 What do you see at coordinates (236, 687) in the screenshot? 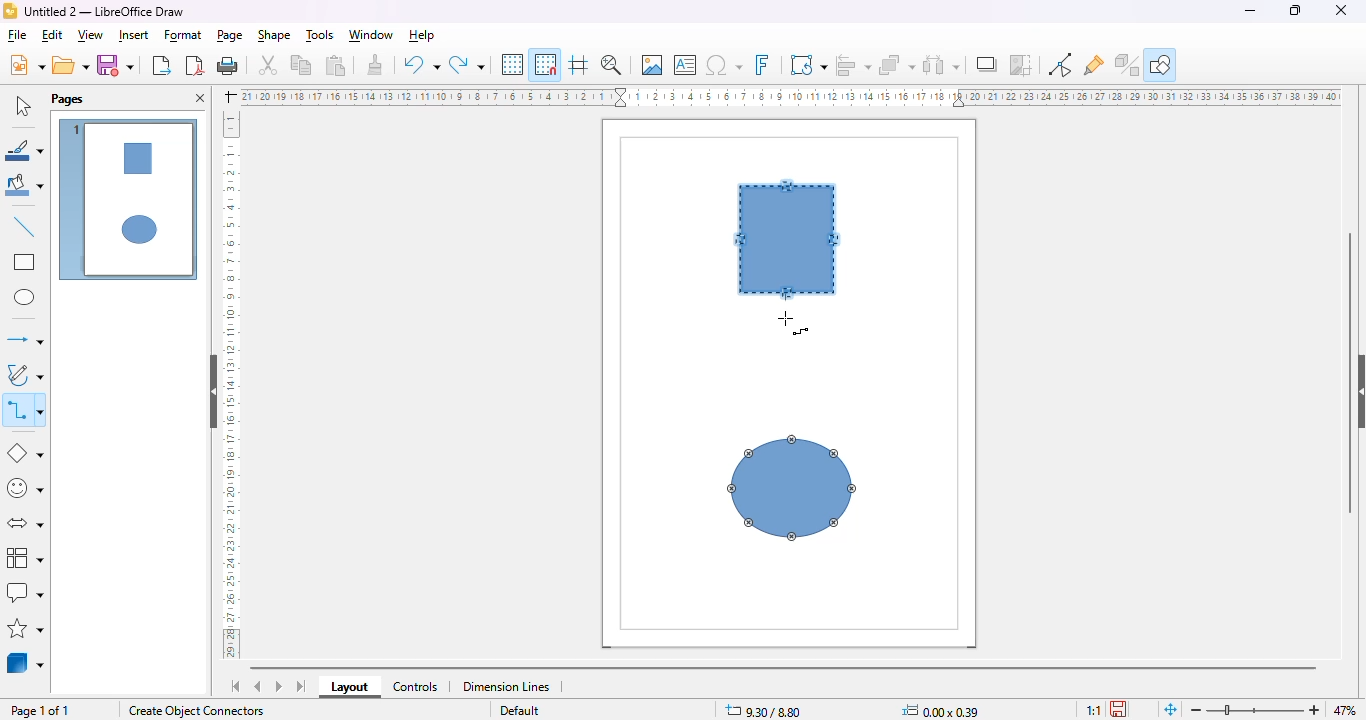
I see `scroll to first sheet` at bounding box center [236, 687].